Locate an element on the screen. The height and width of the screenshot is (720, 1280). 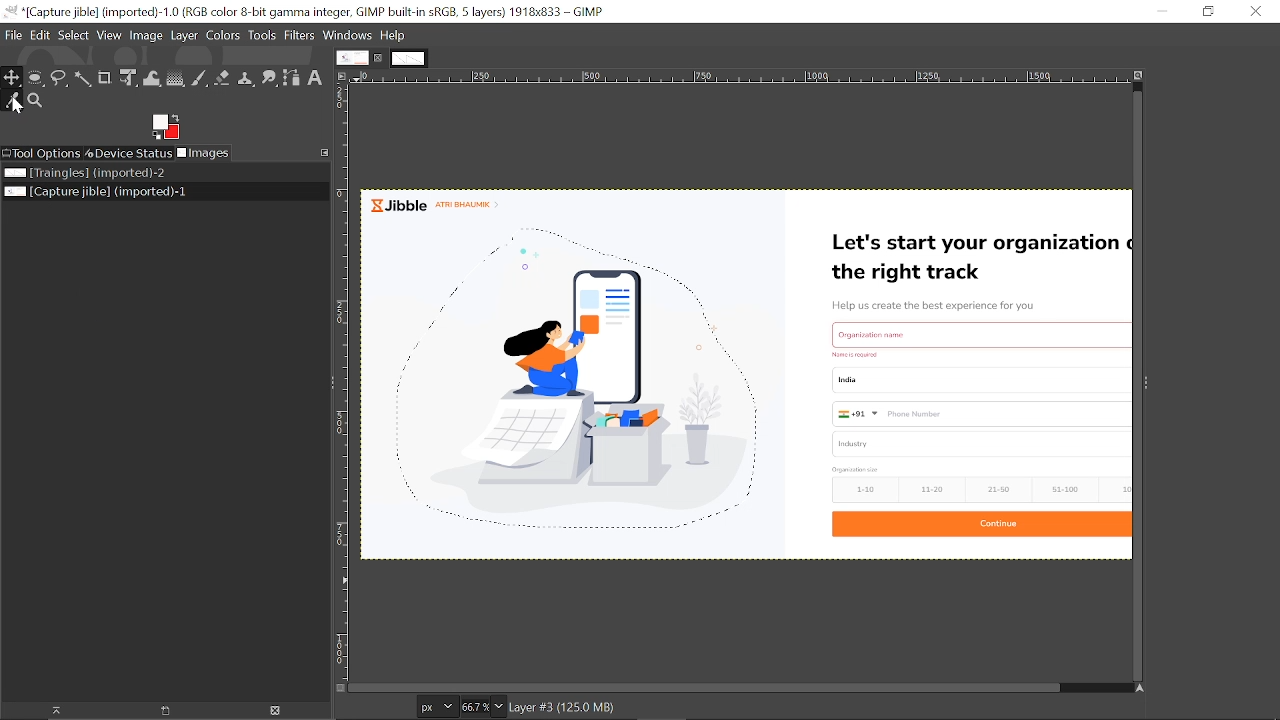
Windows is located at coordinates (348, 36).